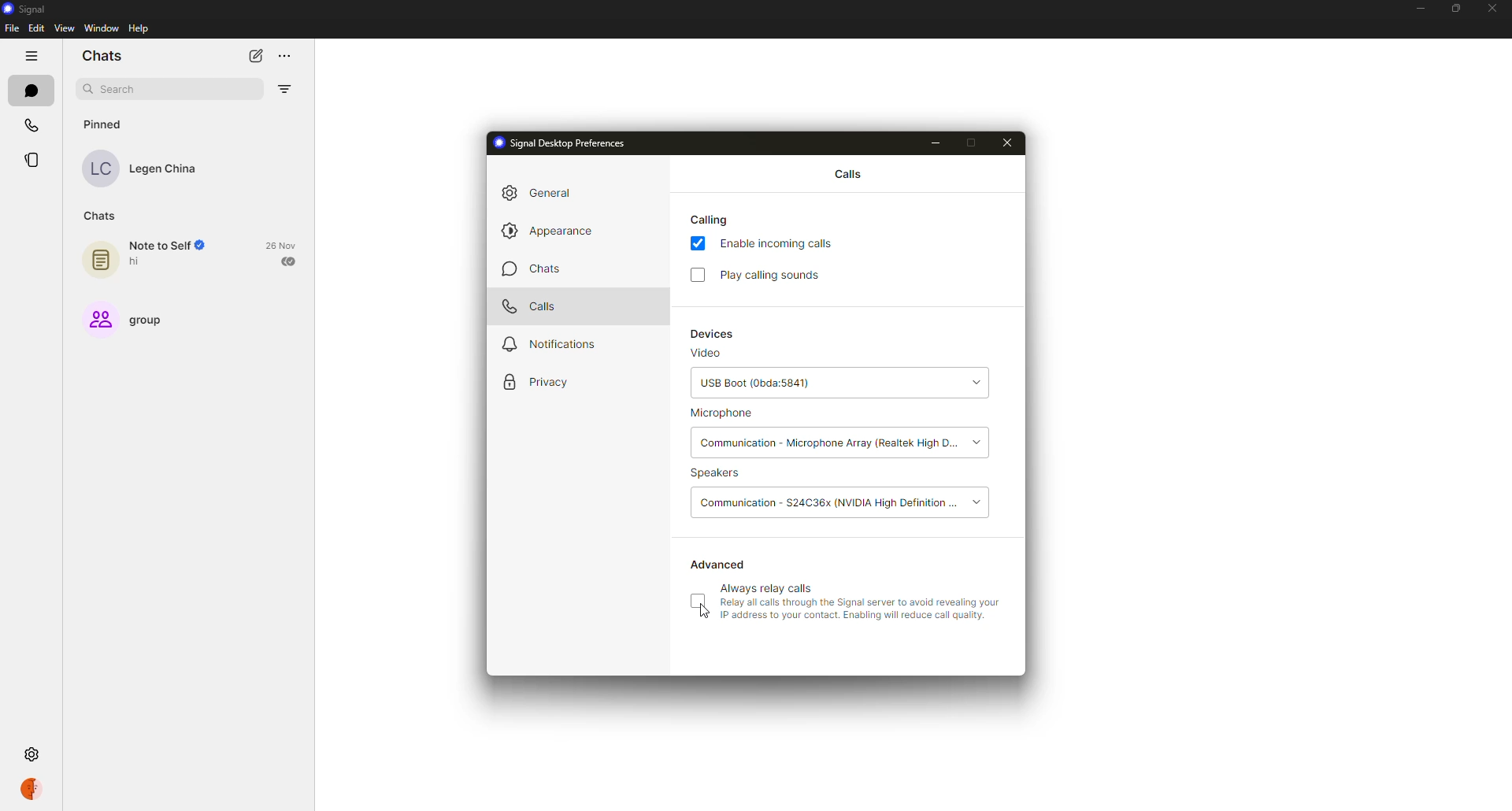  Describe the element at coordinates (814, 385) in the screenshot. I see `USB Boot (0bda:5841)` at that location.